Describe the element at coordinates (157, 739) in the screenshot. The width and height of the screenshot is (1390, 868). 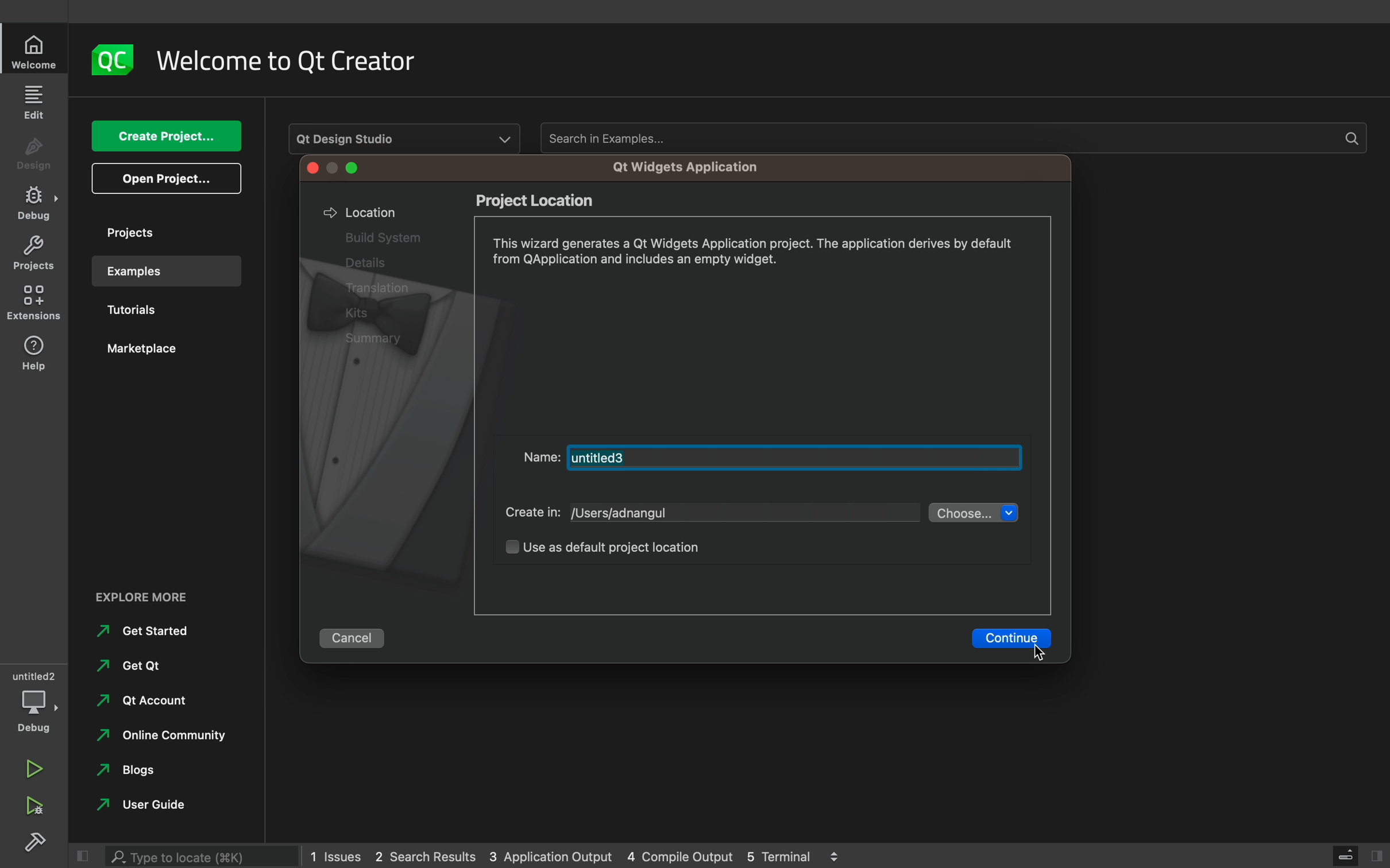
I see `` at that location.